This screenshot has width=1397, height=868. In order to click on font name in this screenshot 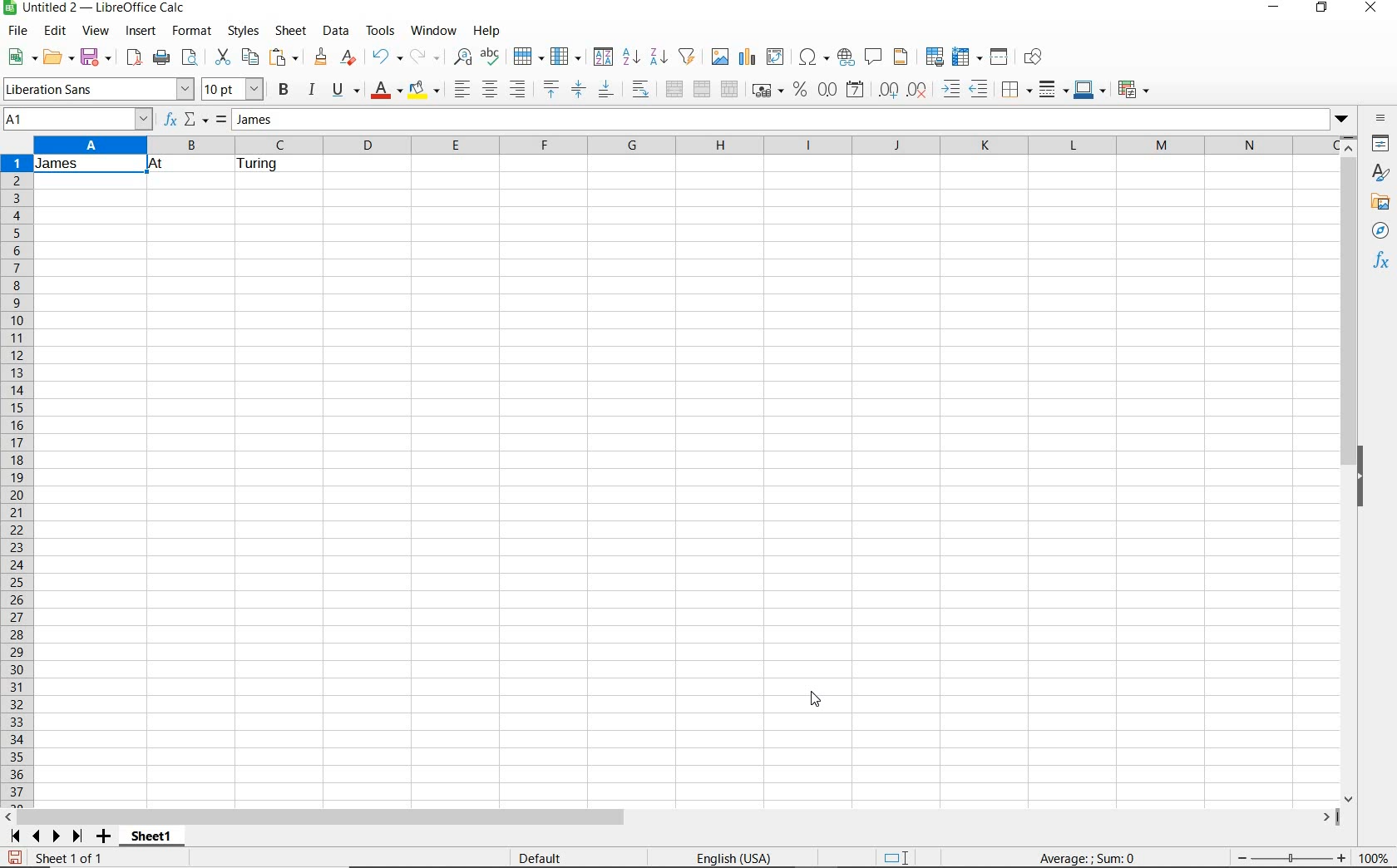, I will do `click(98, 89)`.